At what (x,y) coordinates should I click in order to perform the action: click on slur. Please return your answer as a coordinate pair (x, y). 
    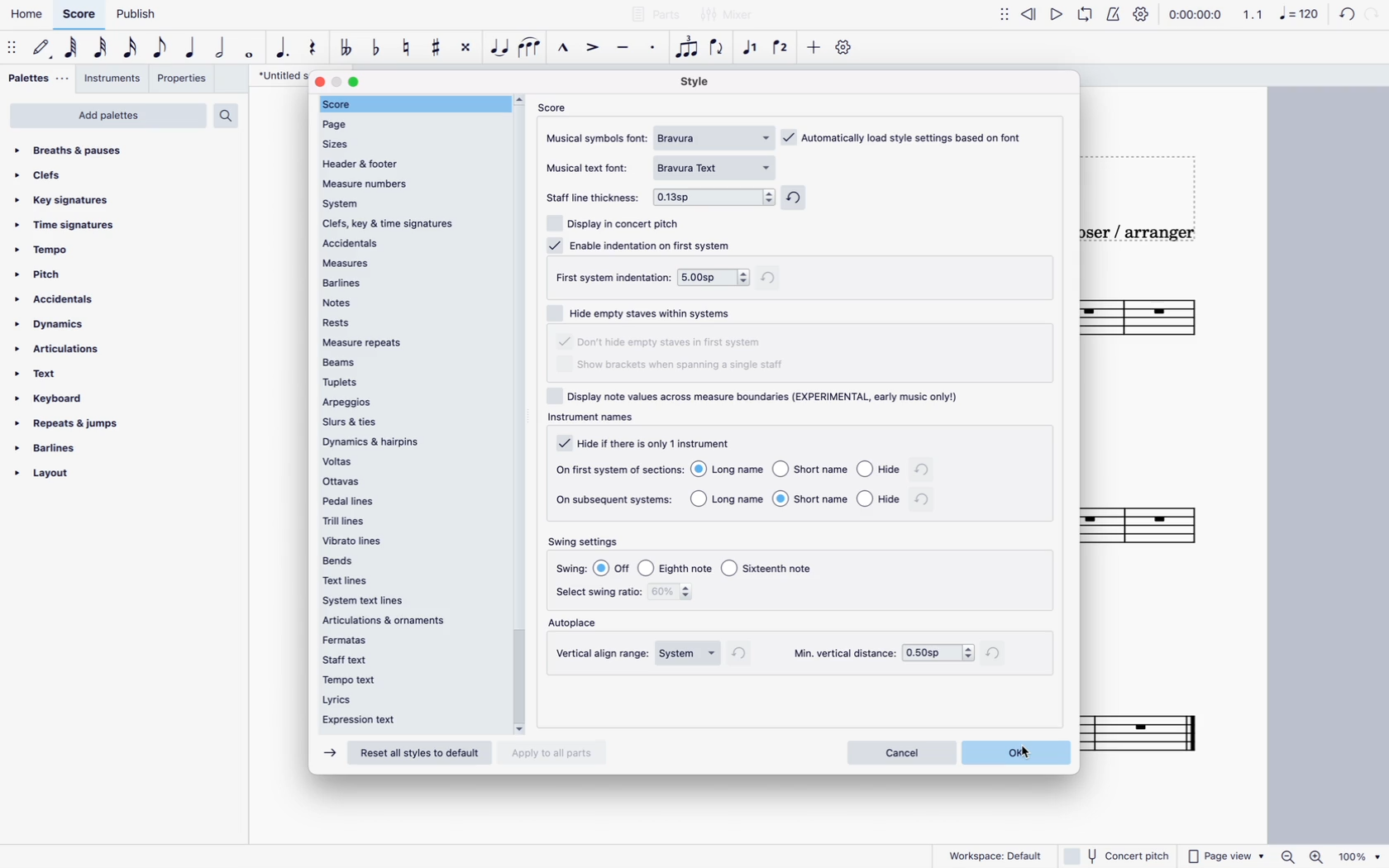
    Looking at the image, I should click on (531, 50).